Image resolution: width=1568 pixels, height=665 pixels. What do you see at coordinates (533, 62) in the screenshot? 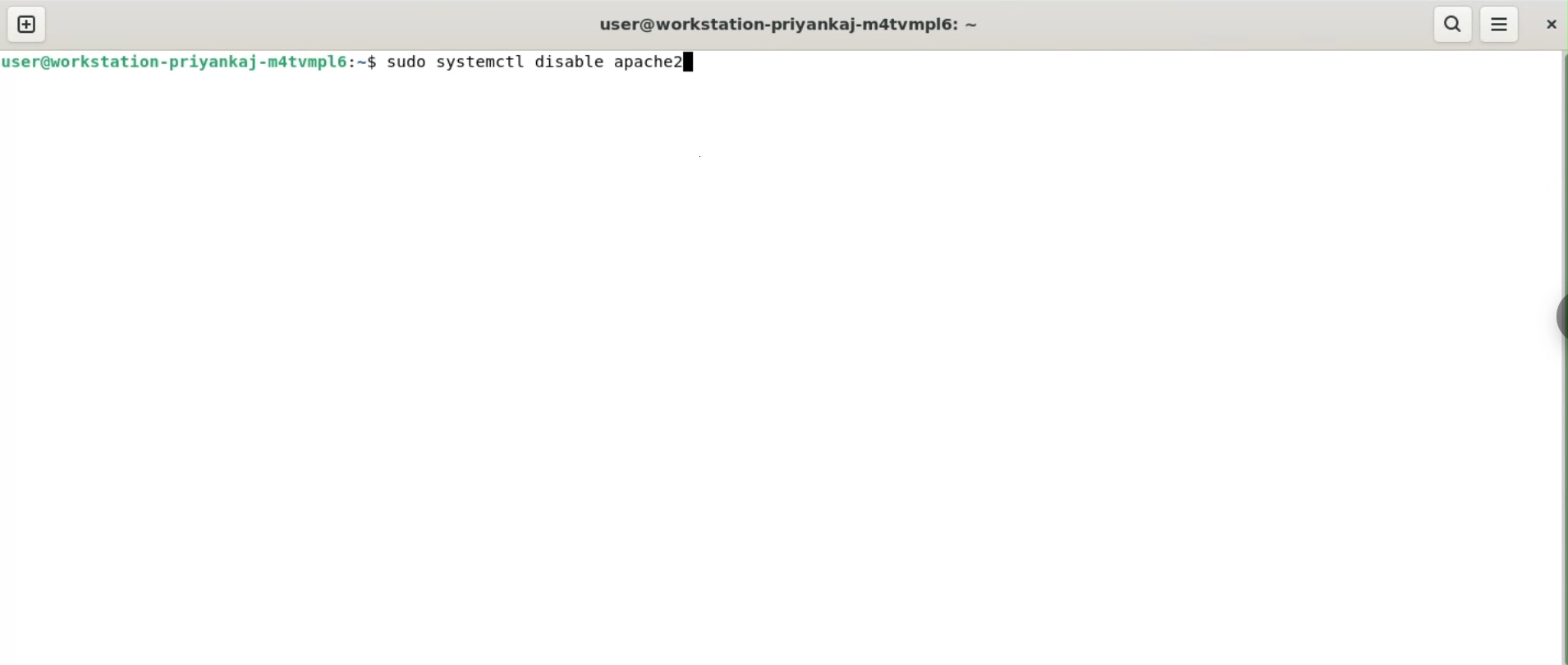
I see `sudo systemctl disable apache2` at bounding box center [533, 62].